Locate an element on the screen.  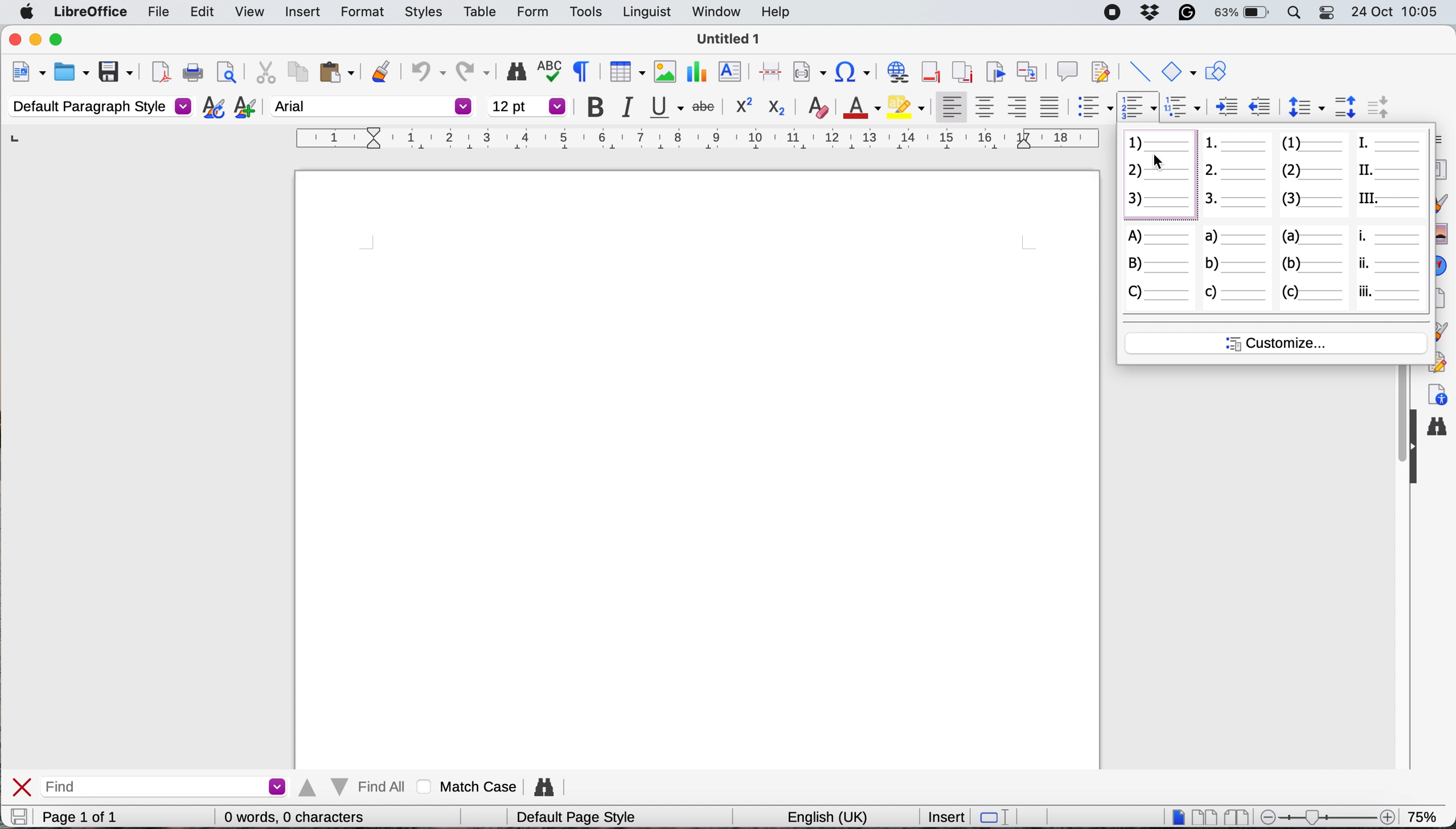
decrease paragraph spacing is located at coordinates (1376, 106).